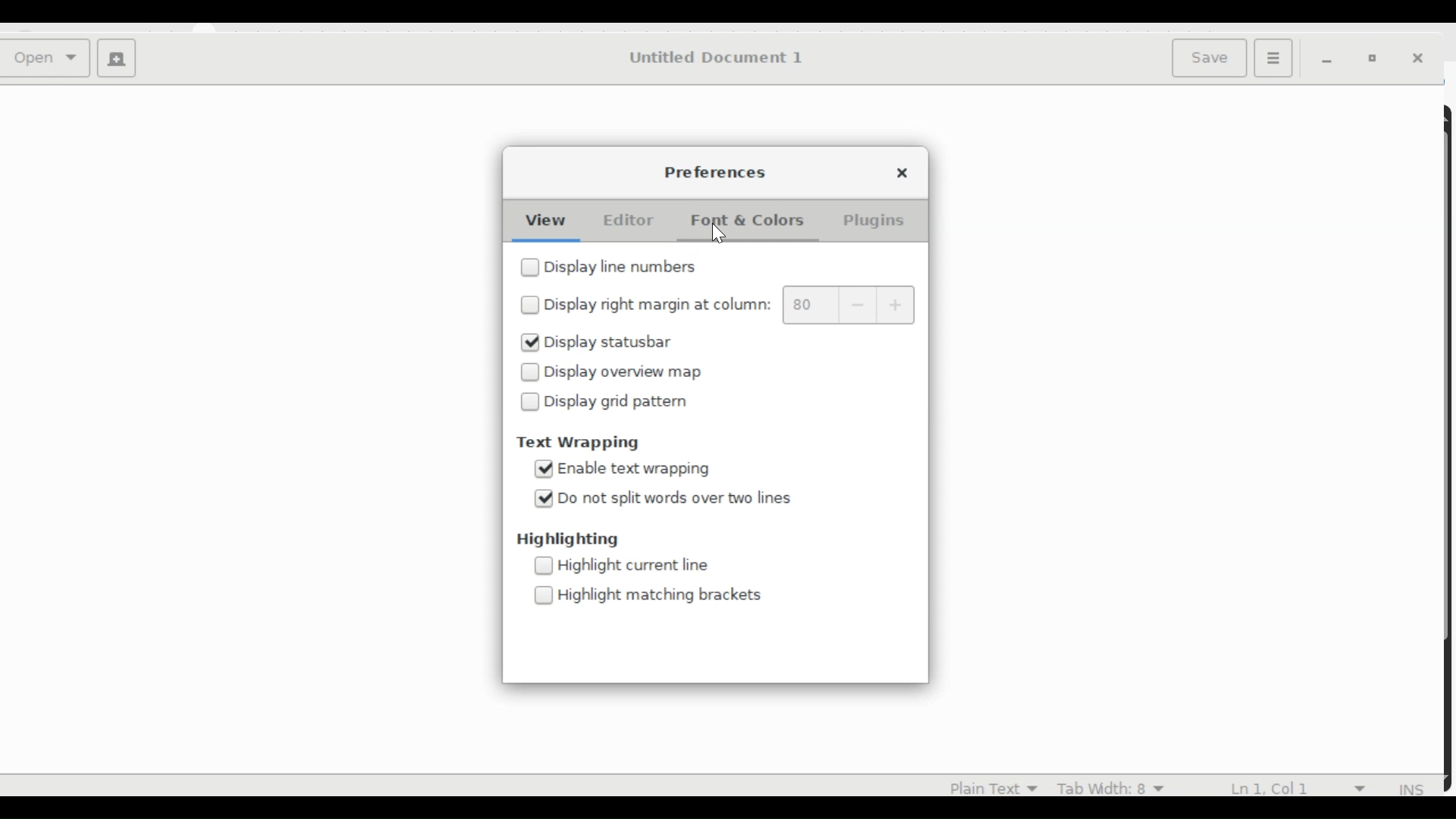  I want to click on Save, so click(1212, 57).